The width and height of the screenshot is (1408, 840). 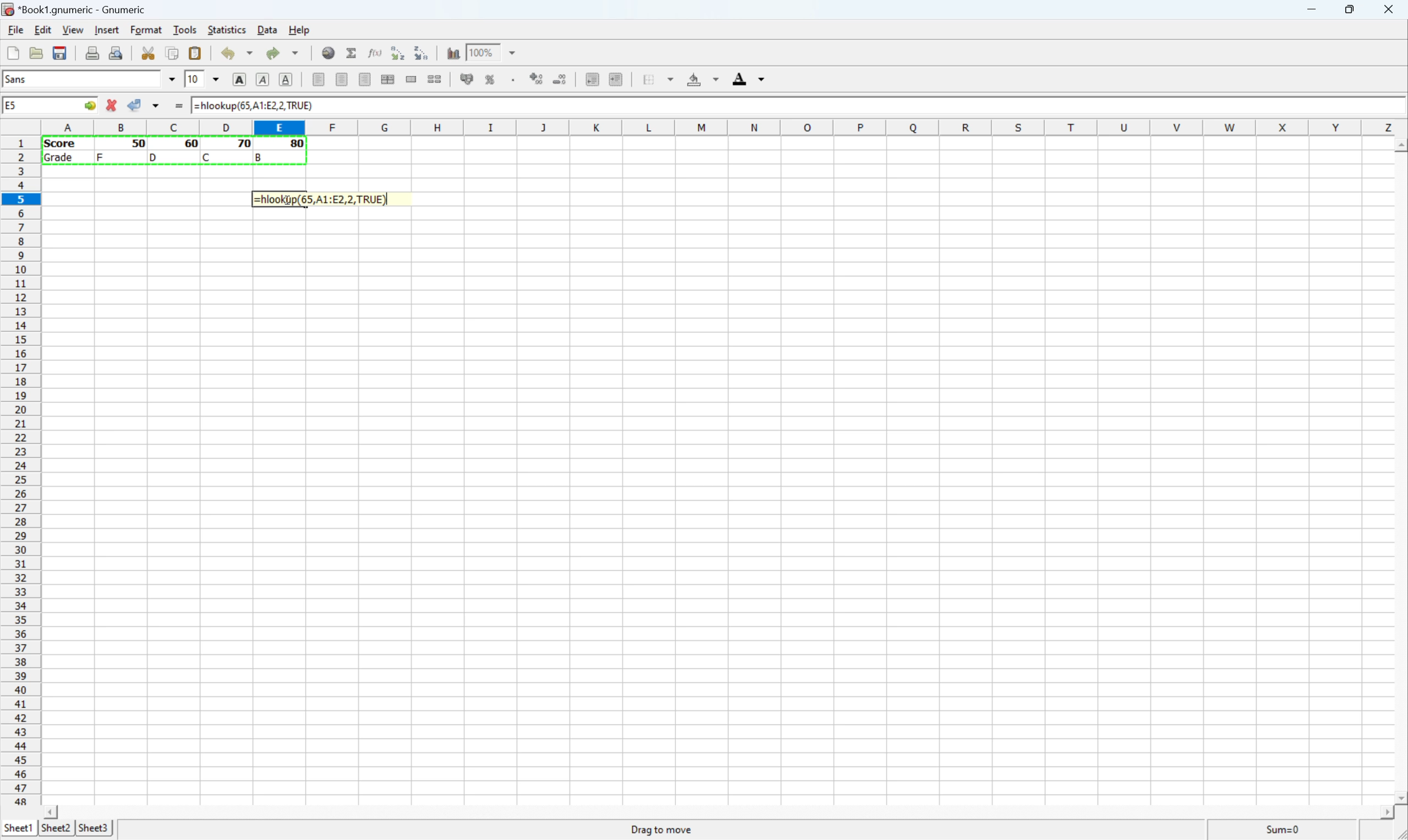 What do you see at coordinates (173, 55) in the screenshot?
I see `Copy the selection` at bounding box center [173, 55].